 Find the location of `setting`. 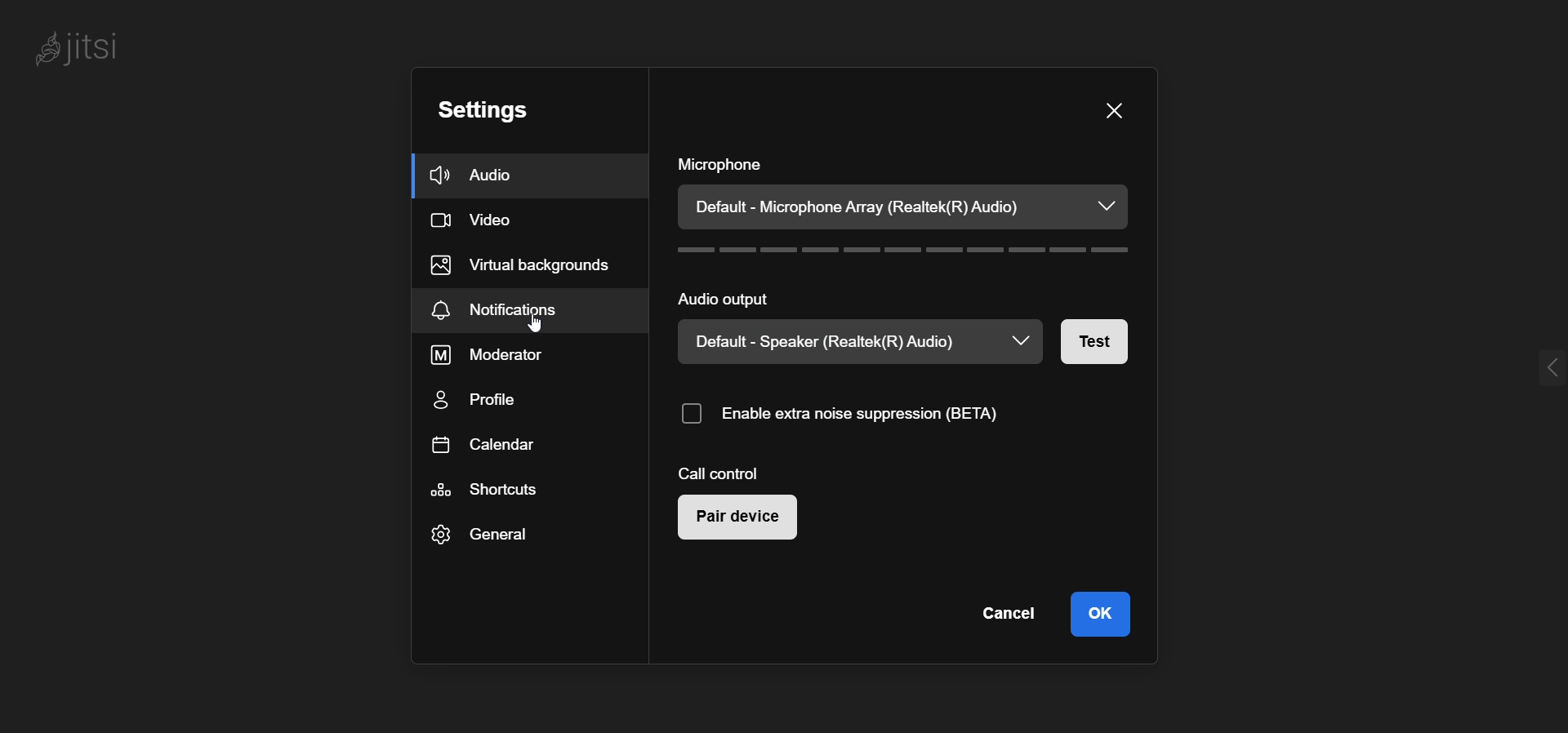

setting is located at coordinates (482, 110).